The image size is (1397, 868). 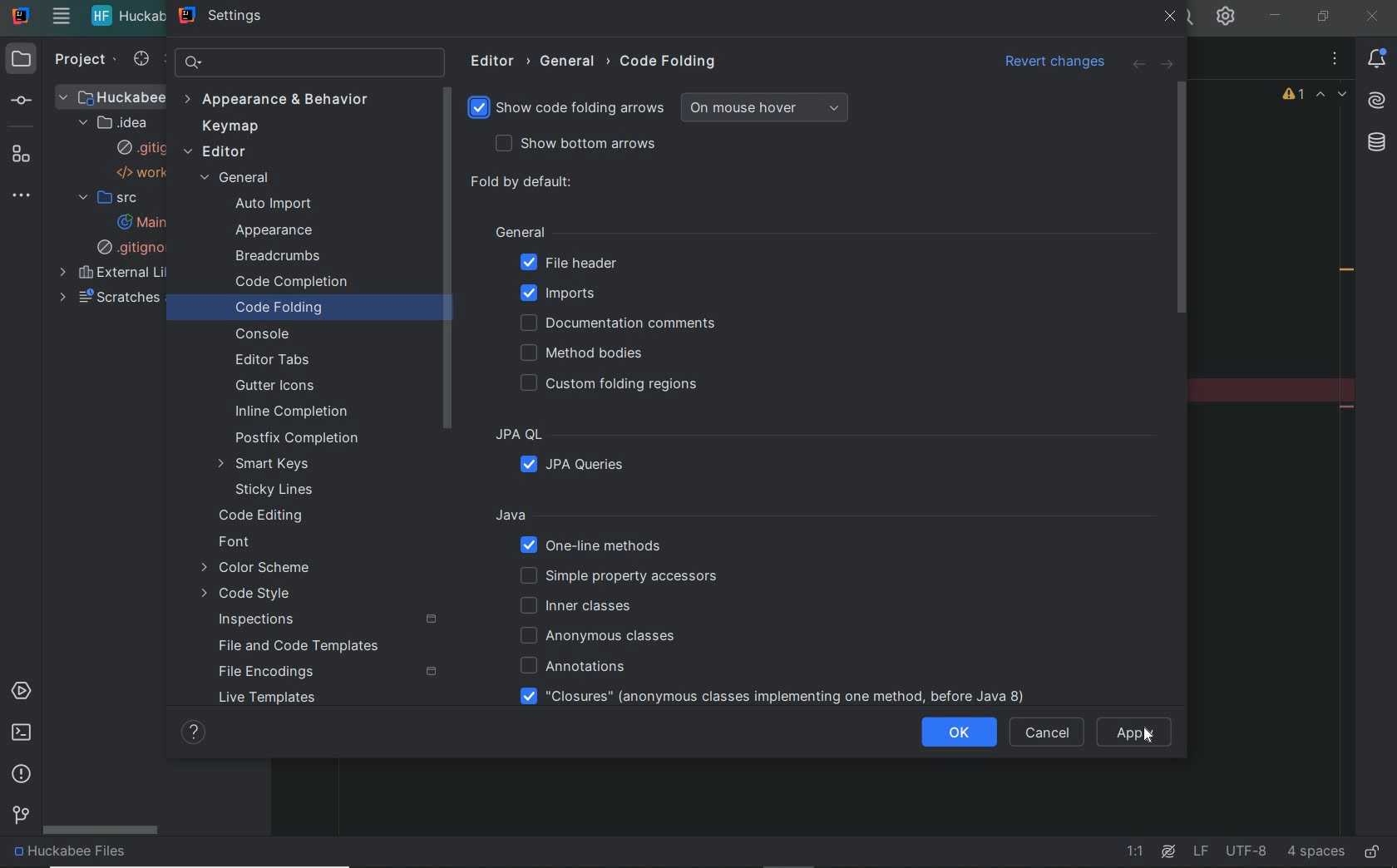 I want to click on "closures", so click(x=749, y=698).